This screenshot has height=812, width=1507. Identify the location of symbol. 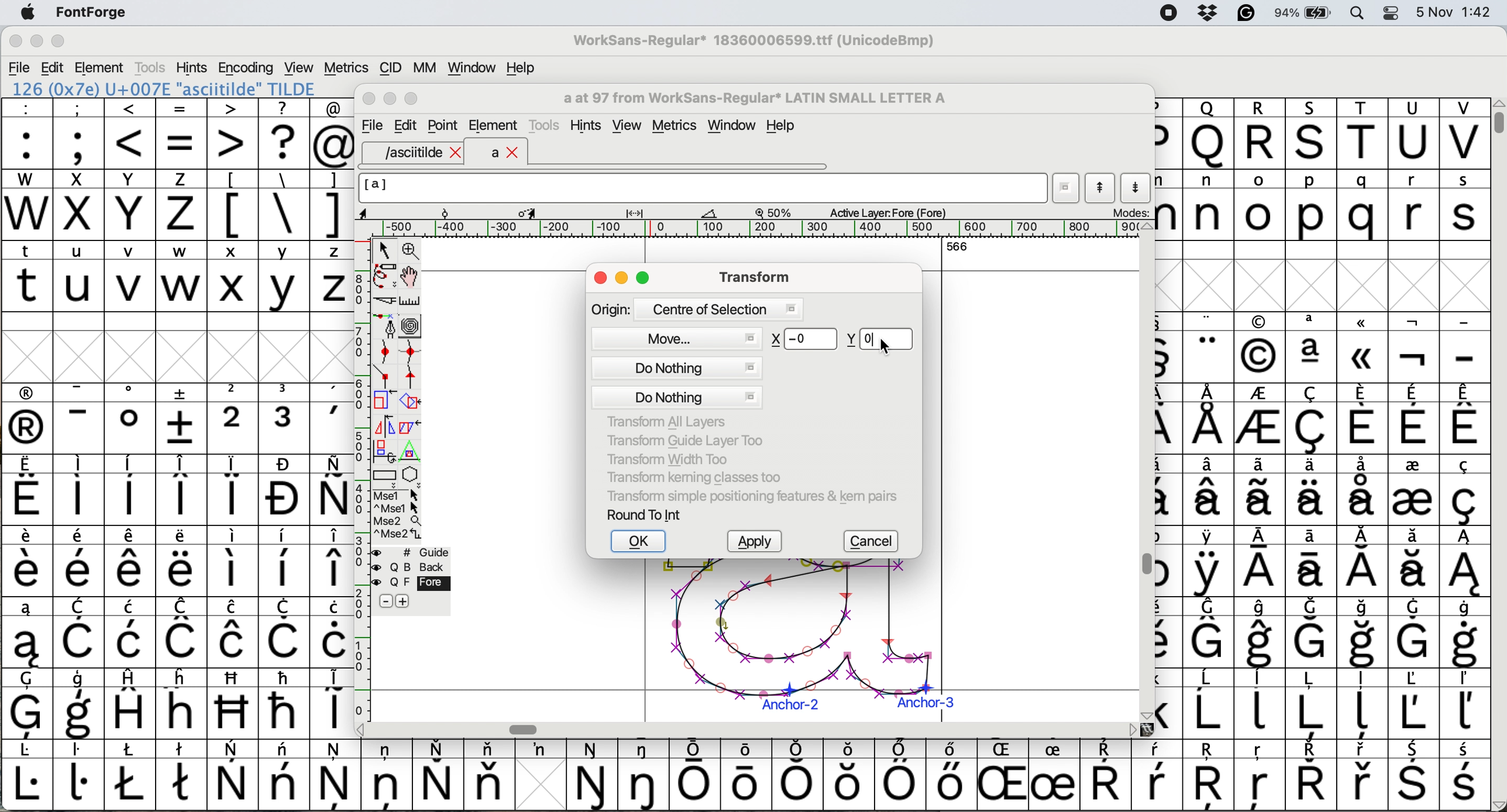
(28, 419).